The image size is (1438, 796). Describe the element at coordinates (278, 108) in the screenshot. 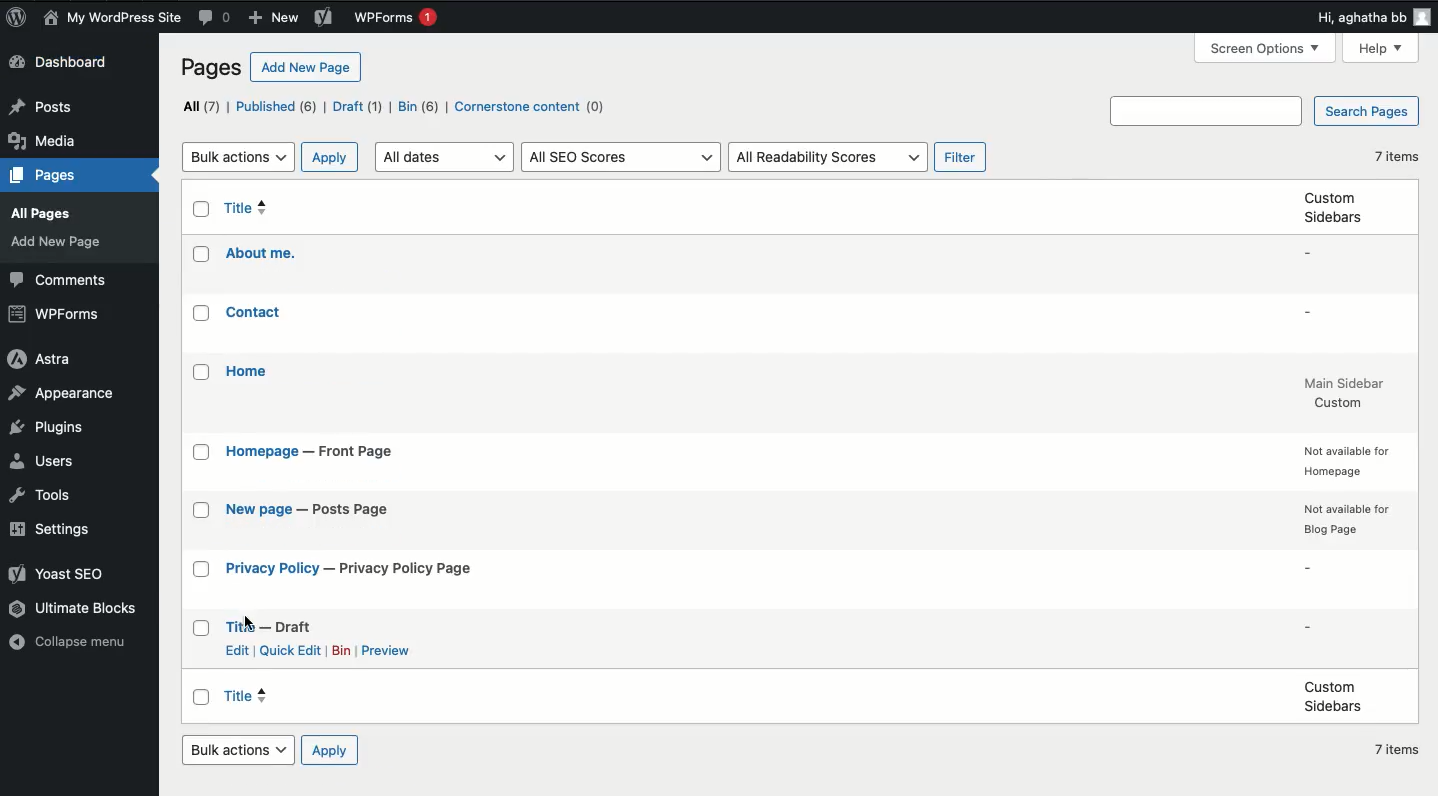

I see `Published` at that location.